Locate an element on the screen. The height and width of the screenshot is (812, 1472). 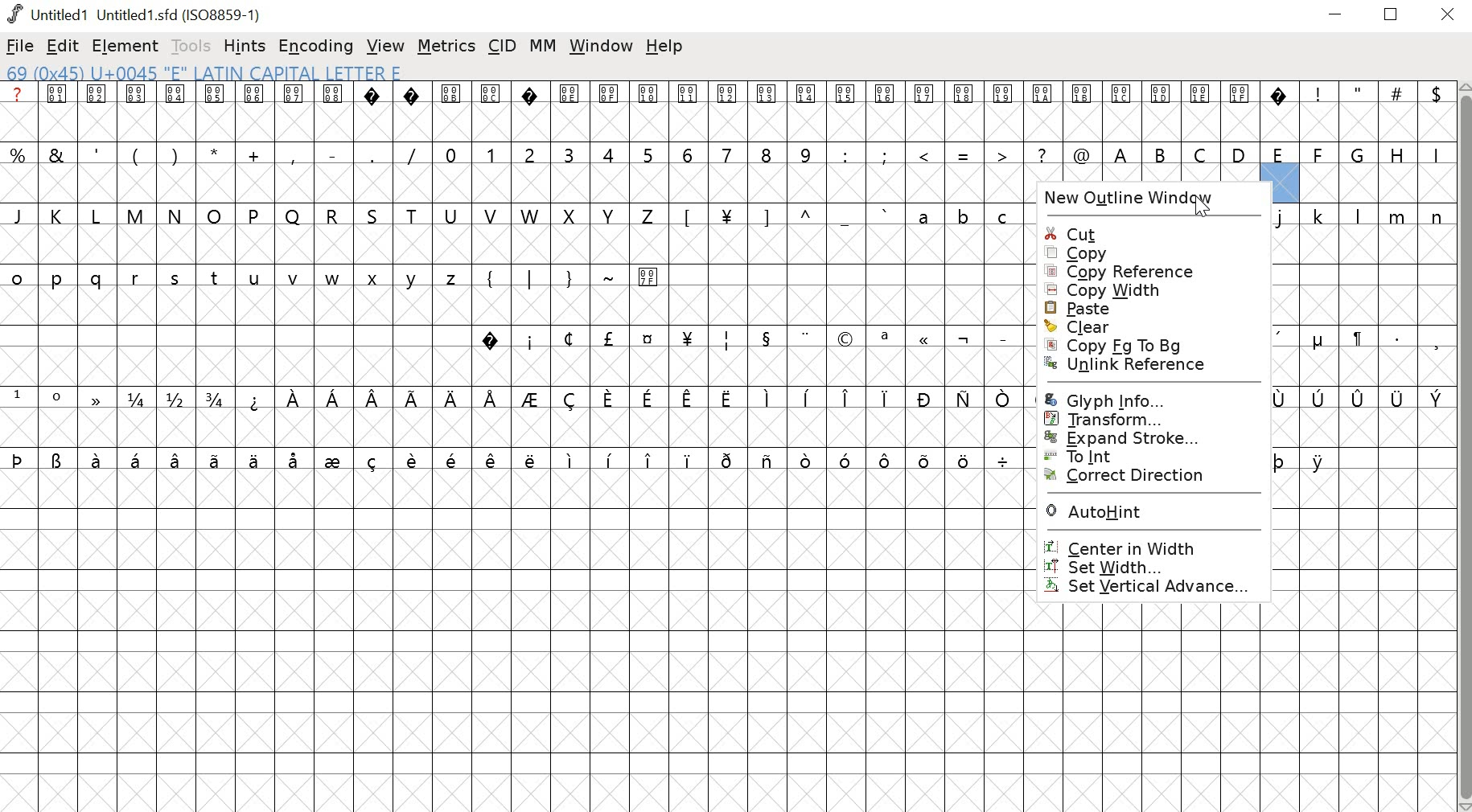
numbers is located at coordinates (630, 153).